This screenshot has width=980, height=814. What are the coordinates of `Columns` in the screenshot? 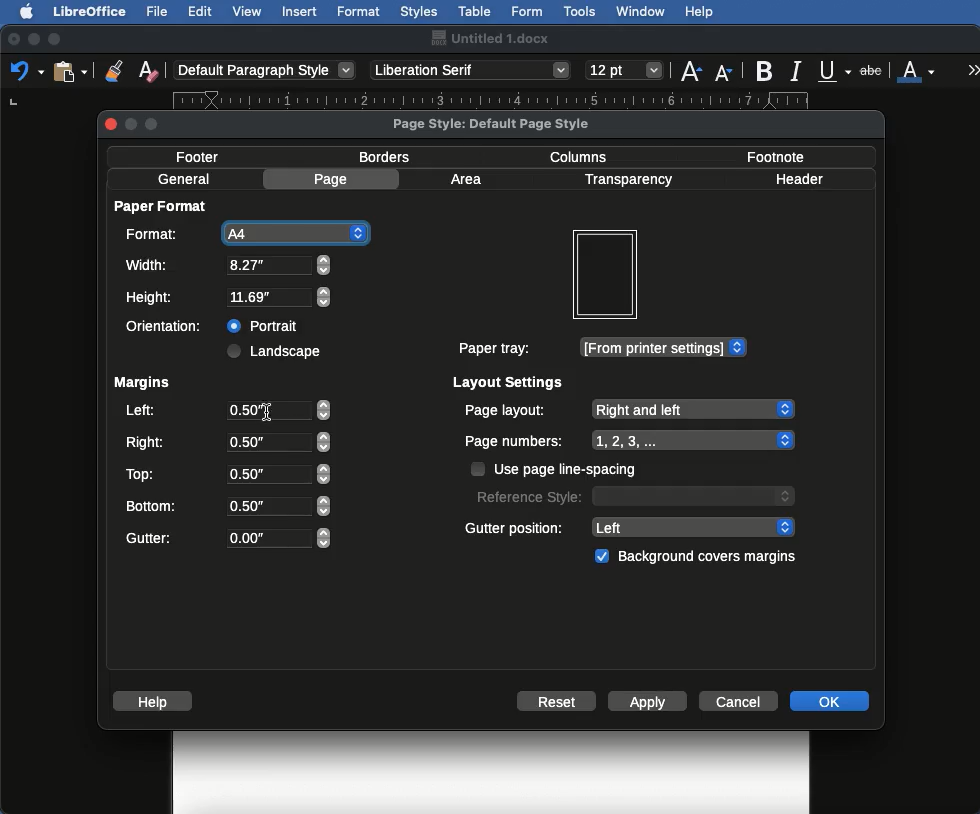 It's located at (584, 155).